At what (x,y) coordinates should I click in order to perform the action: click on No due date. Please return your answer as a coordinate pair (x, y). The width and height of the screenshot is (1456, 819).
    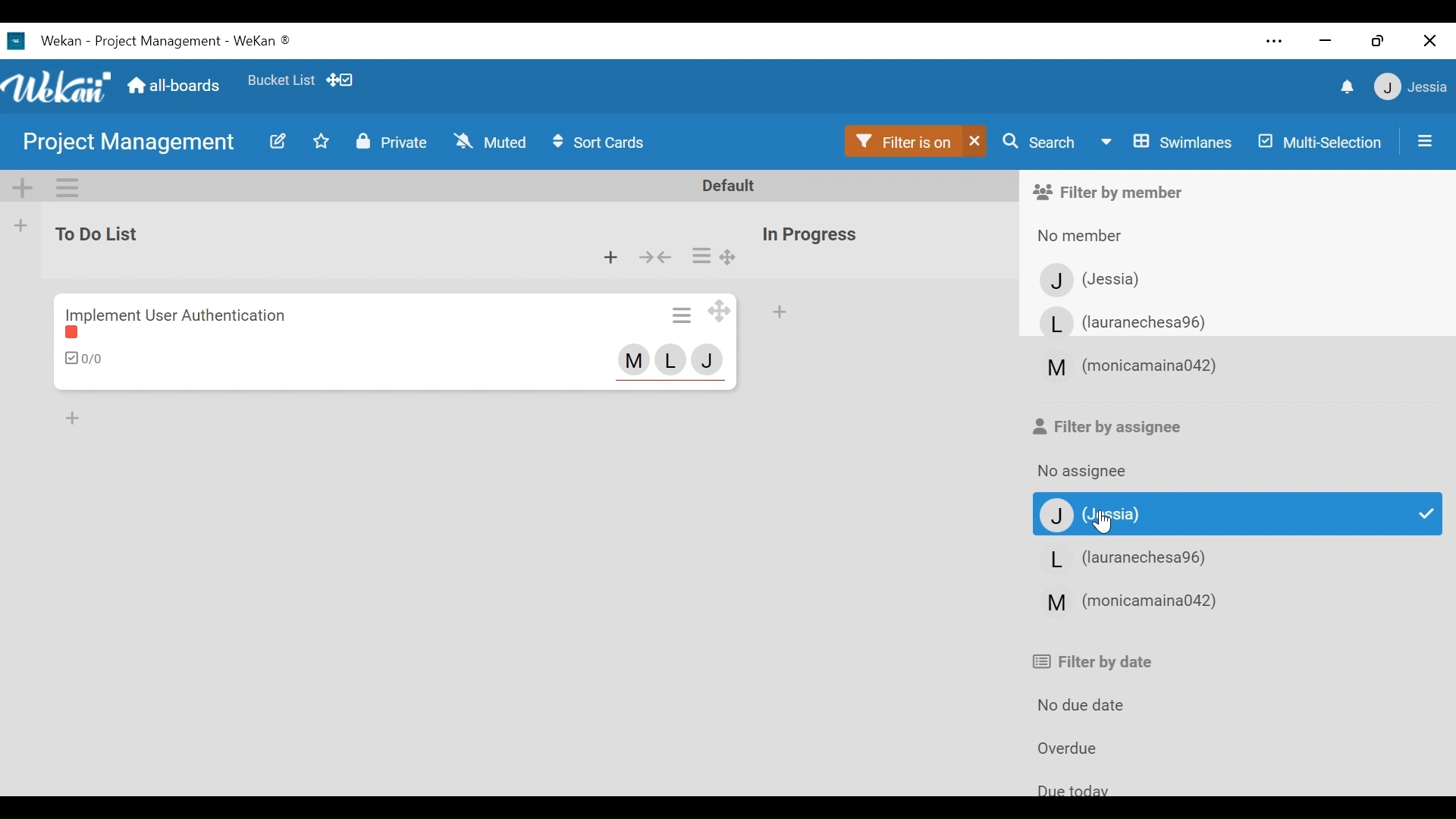
    Looking at the image, I should click on (1095, 702).